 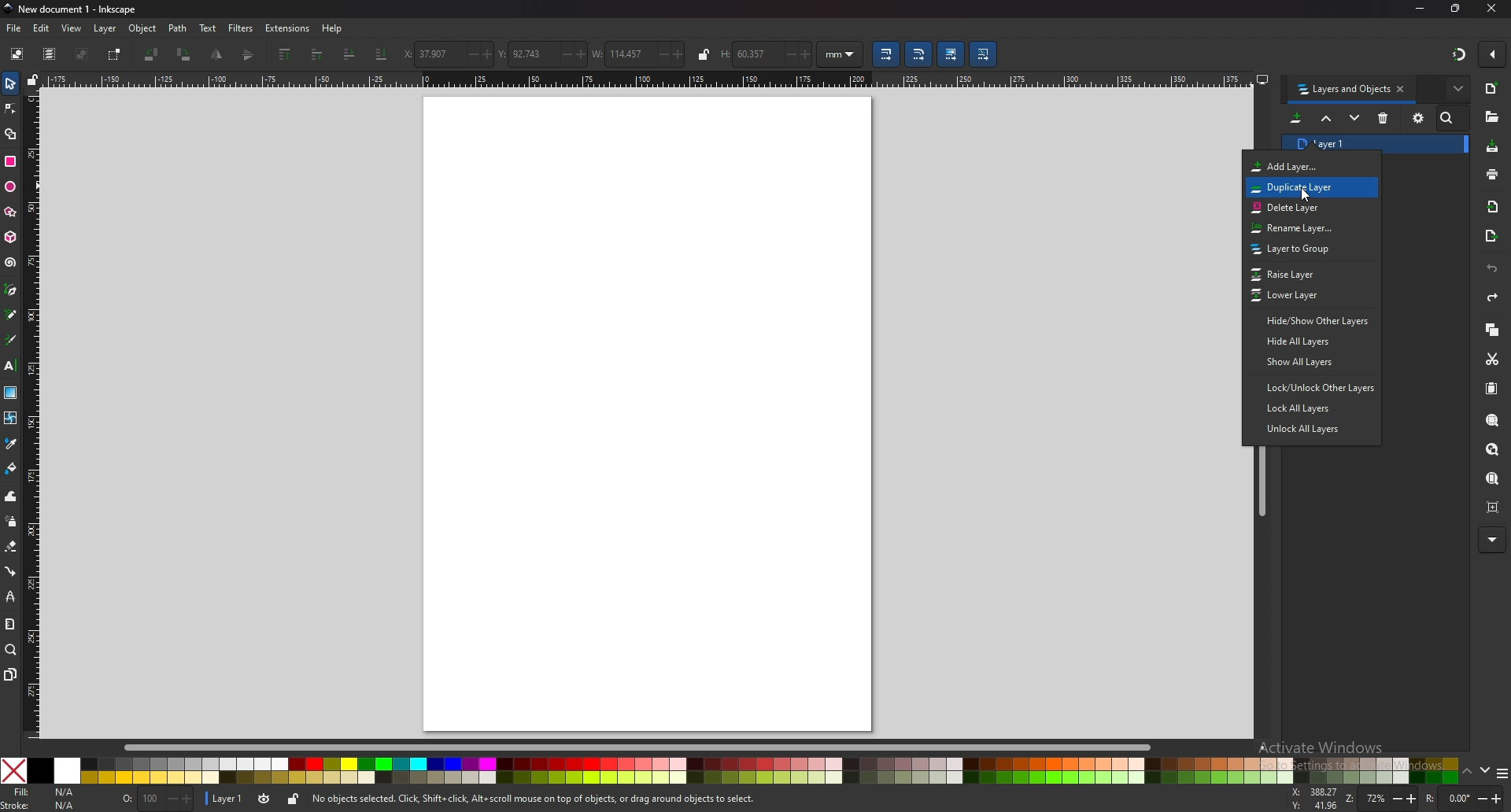 What do you see at coordinates (33, 79) in the screenshot?
I see `lock guides` at bounding box center [33, 79].